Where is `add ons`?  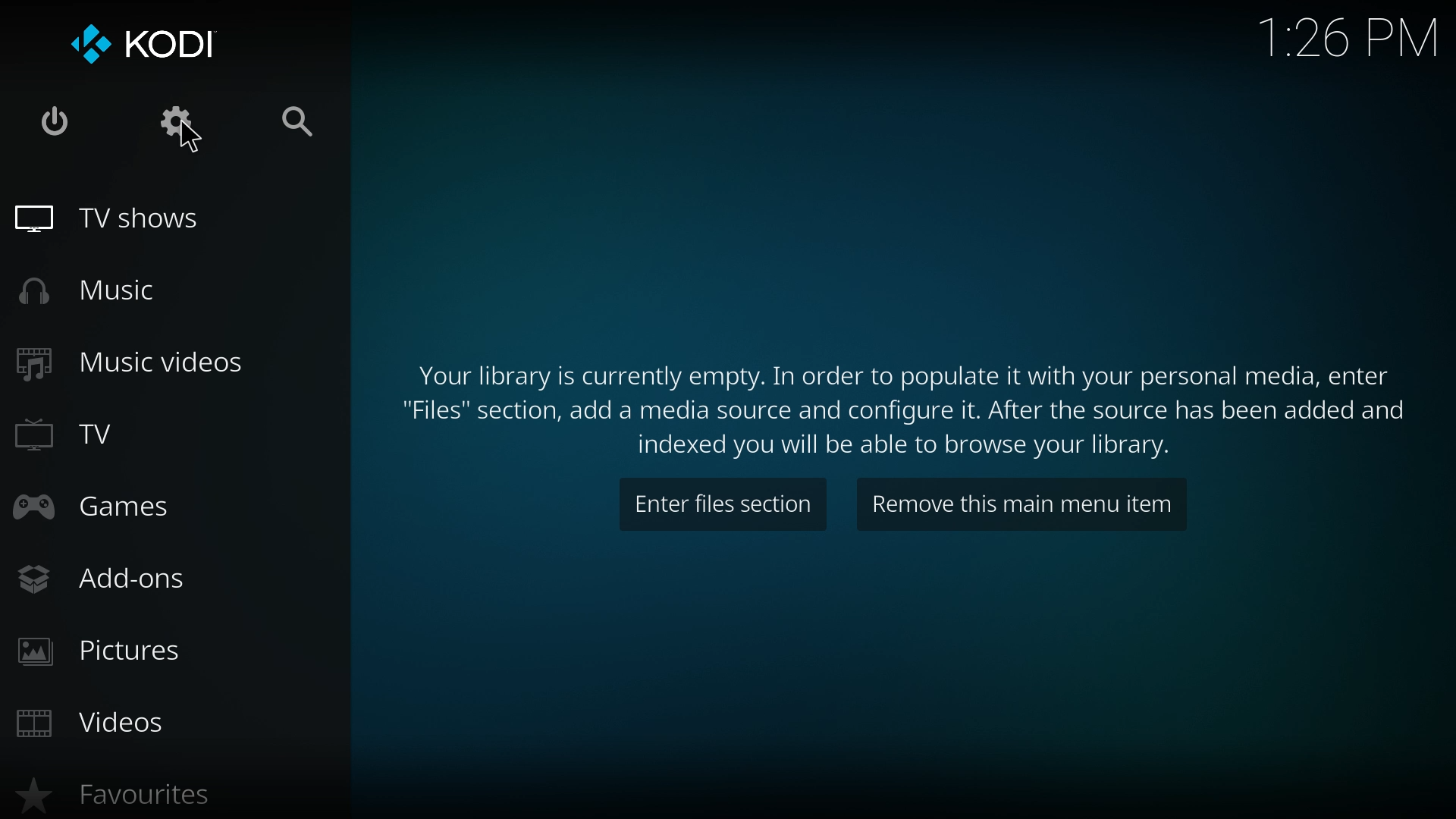 add ons is located at coordinates (133, 579).